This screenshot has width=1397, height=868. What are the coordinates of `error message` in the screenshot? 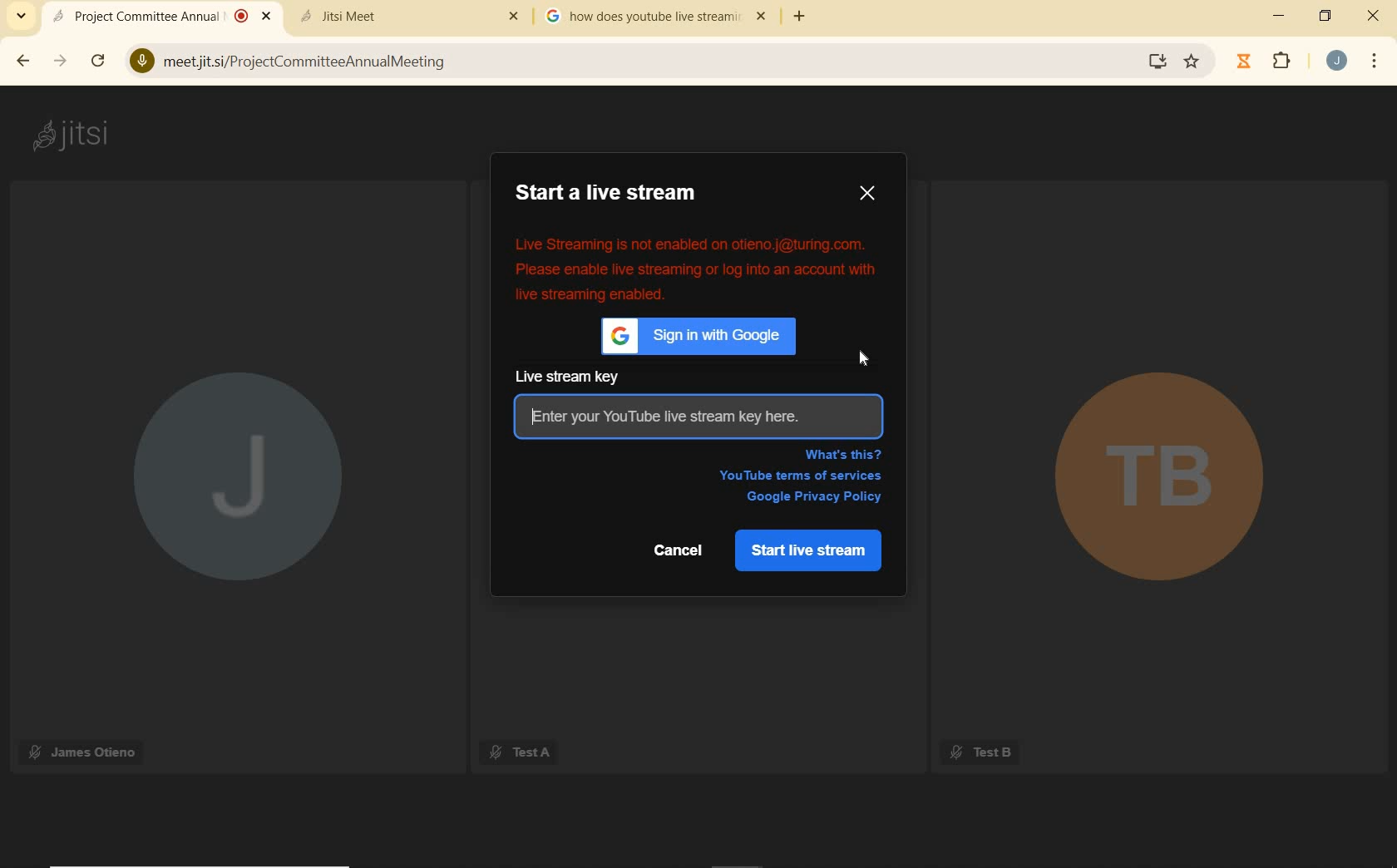 It's located at (696, 269).